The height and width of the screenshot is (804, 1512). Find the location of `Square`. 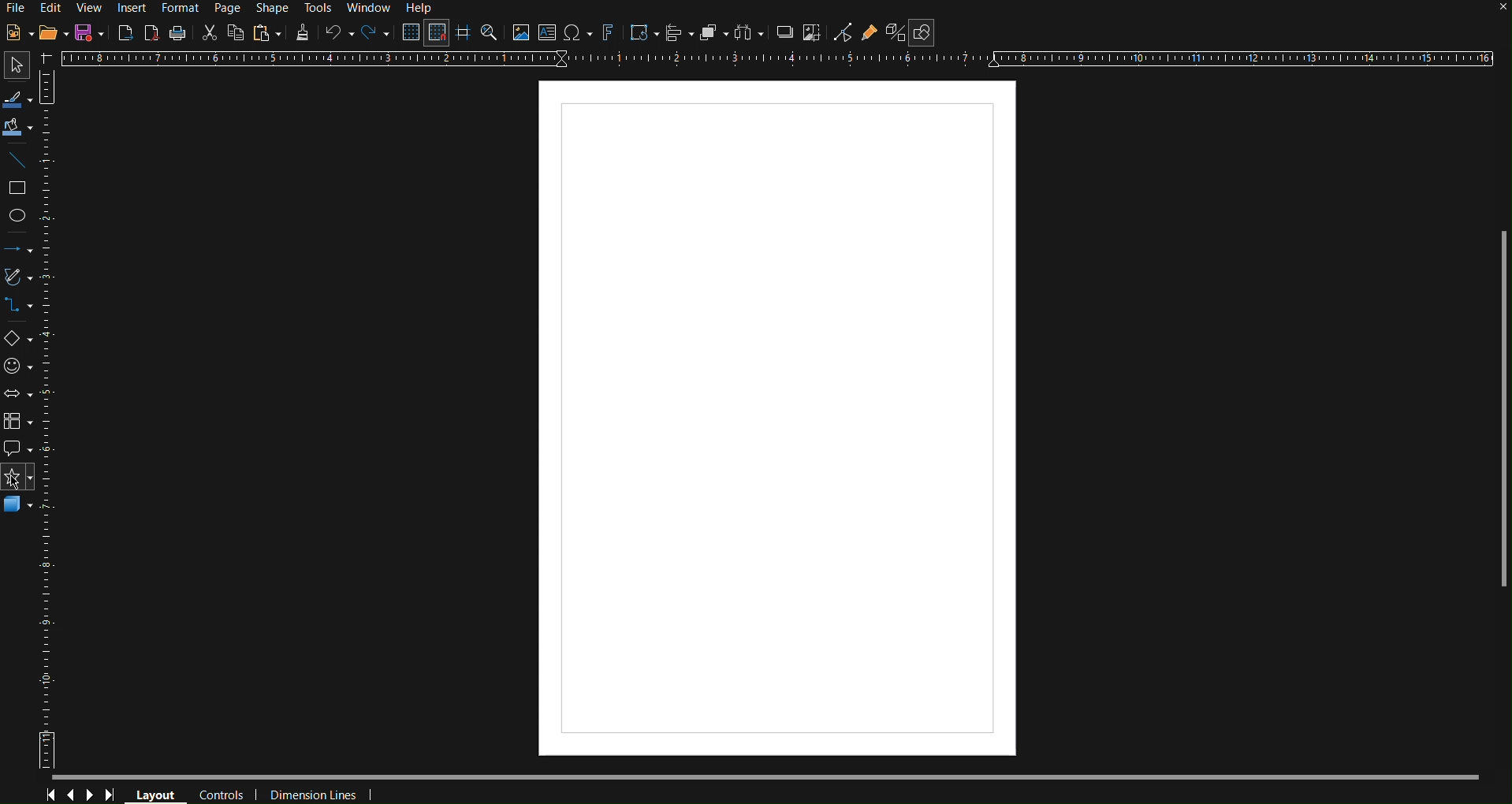

Square is located at coordinates (20, 187).